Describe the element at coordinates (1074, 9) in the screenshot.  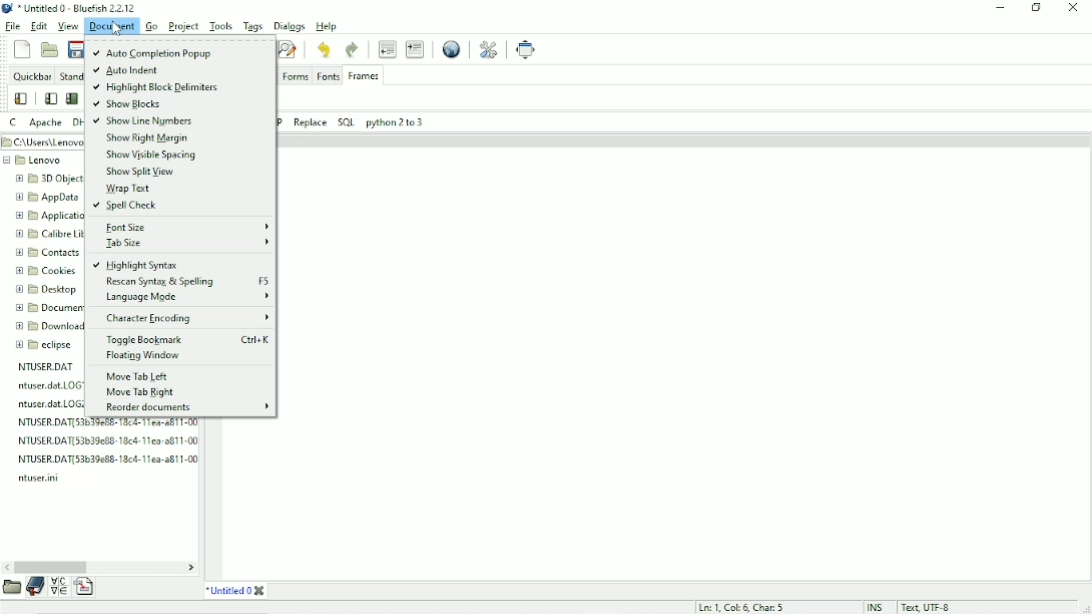
I see `Close` at that location.